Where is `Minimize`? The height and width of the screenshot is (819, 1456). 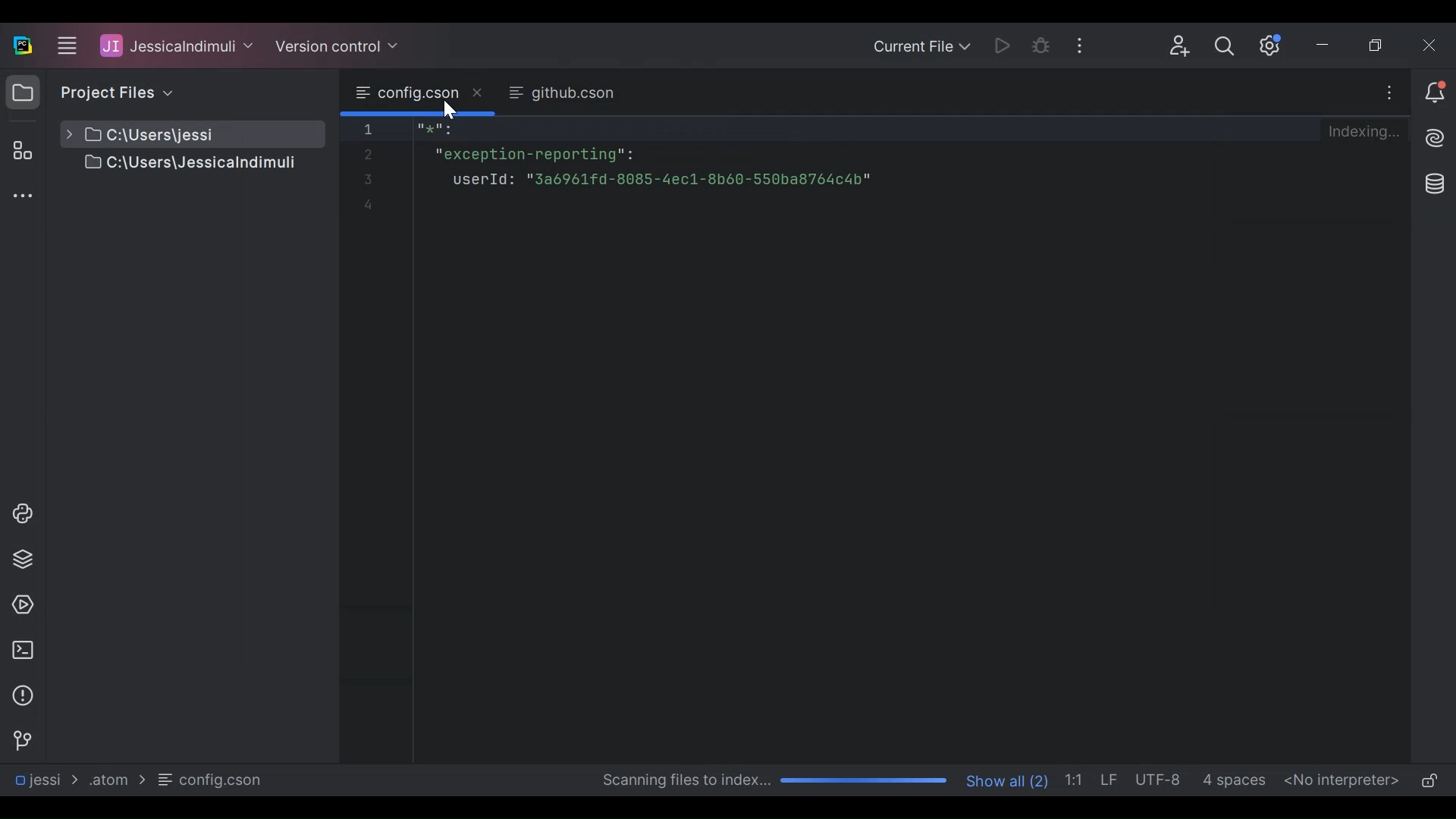
Minimize is located at coordinates (1329, 45).